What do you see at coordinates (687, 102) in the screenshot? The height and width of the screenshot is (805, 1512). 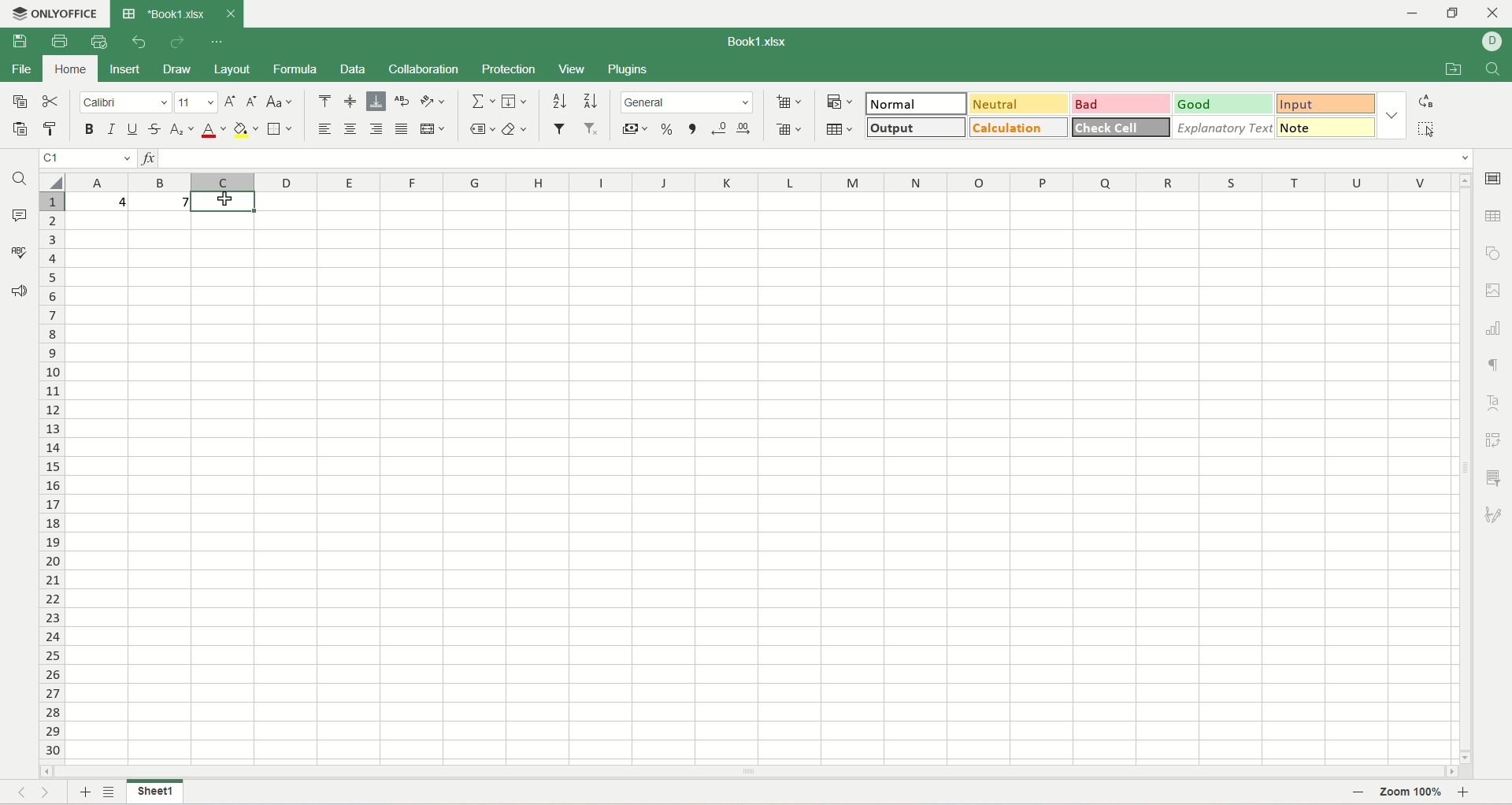 I see `number format` at bounding box center [687, 102].